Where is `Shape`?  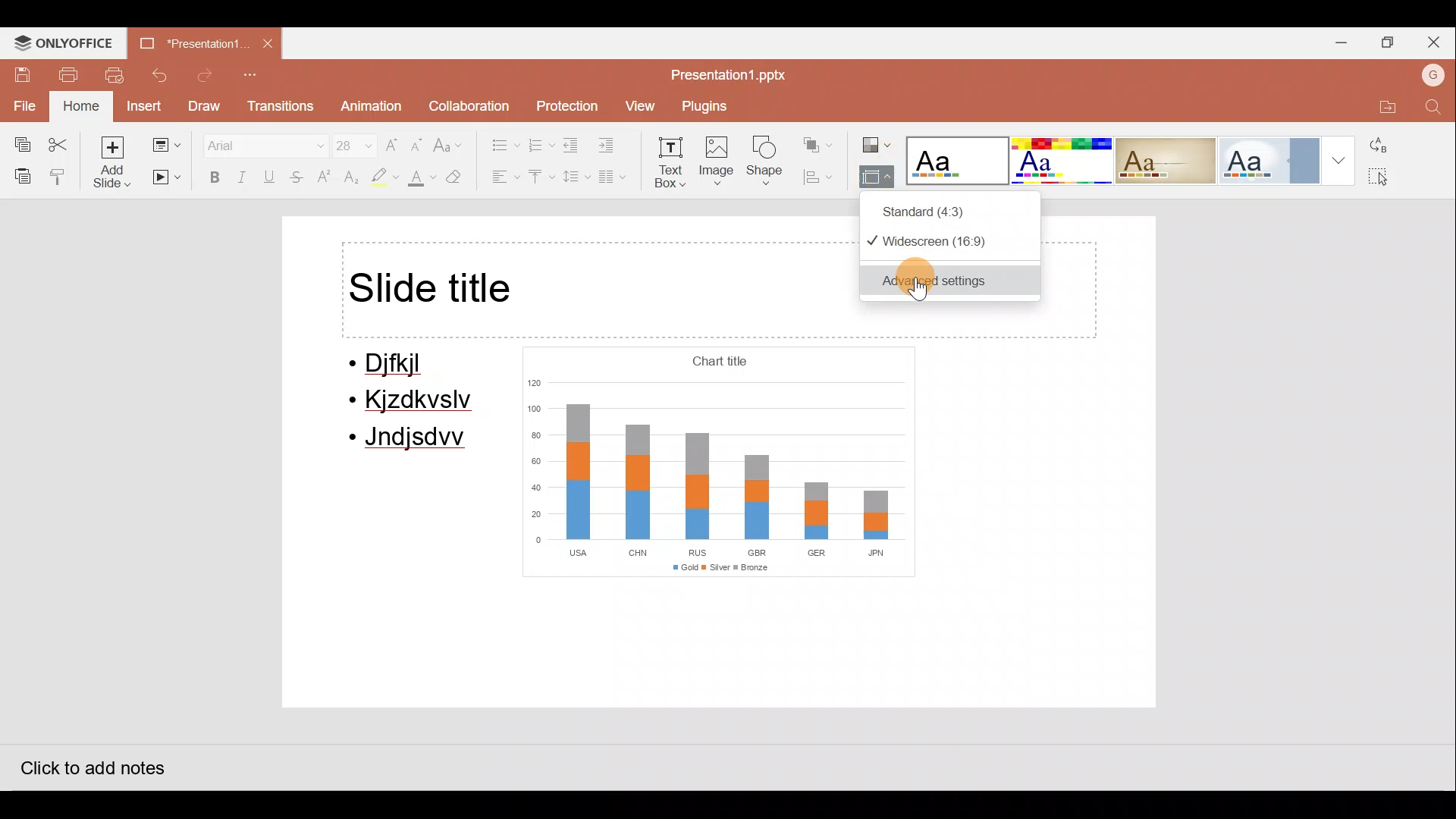 Shape is located at coordinates (769, 164).